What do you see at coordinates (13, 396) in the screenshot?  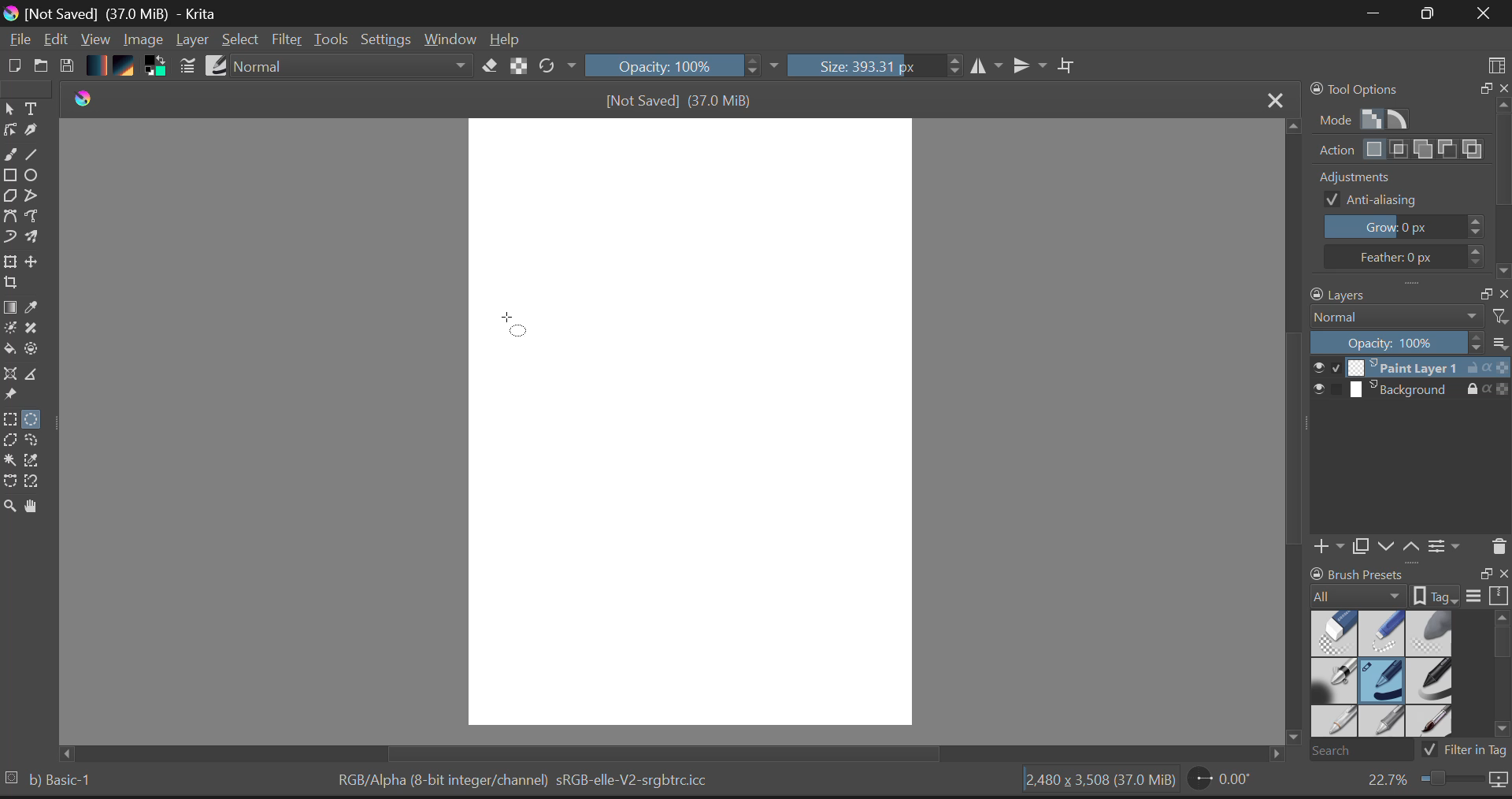 I see `Reference Images` at bounding box center [13, 396].